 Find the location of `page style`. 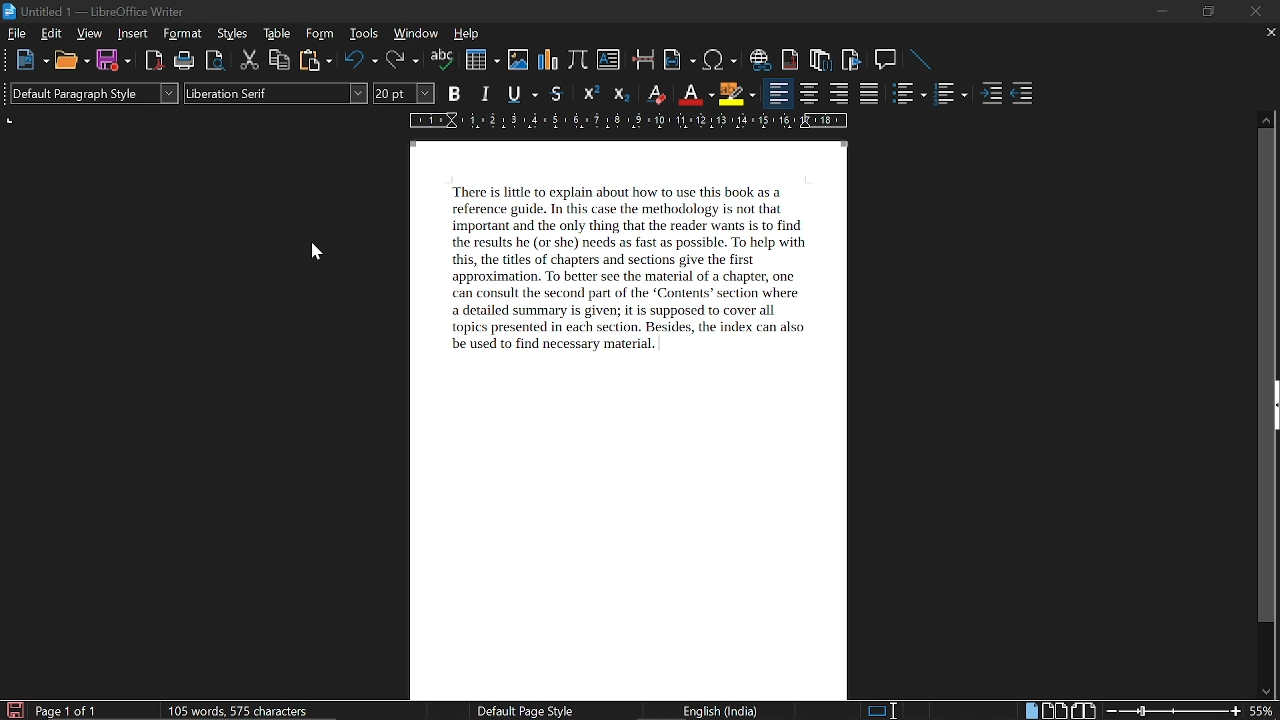

page style is located at coordinates (522, 710).